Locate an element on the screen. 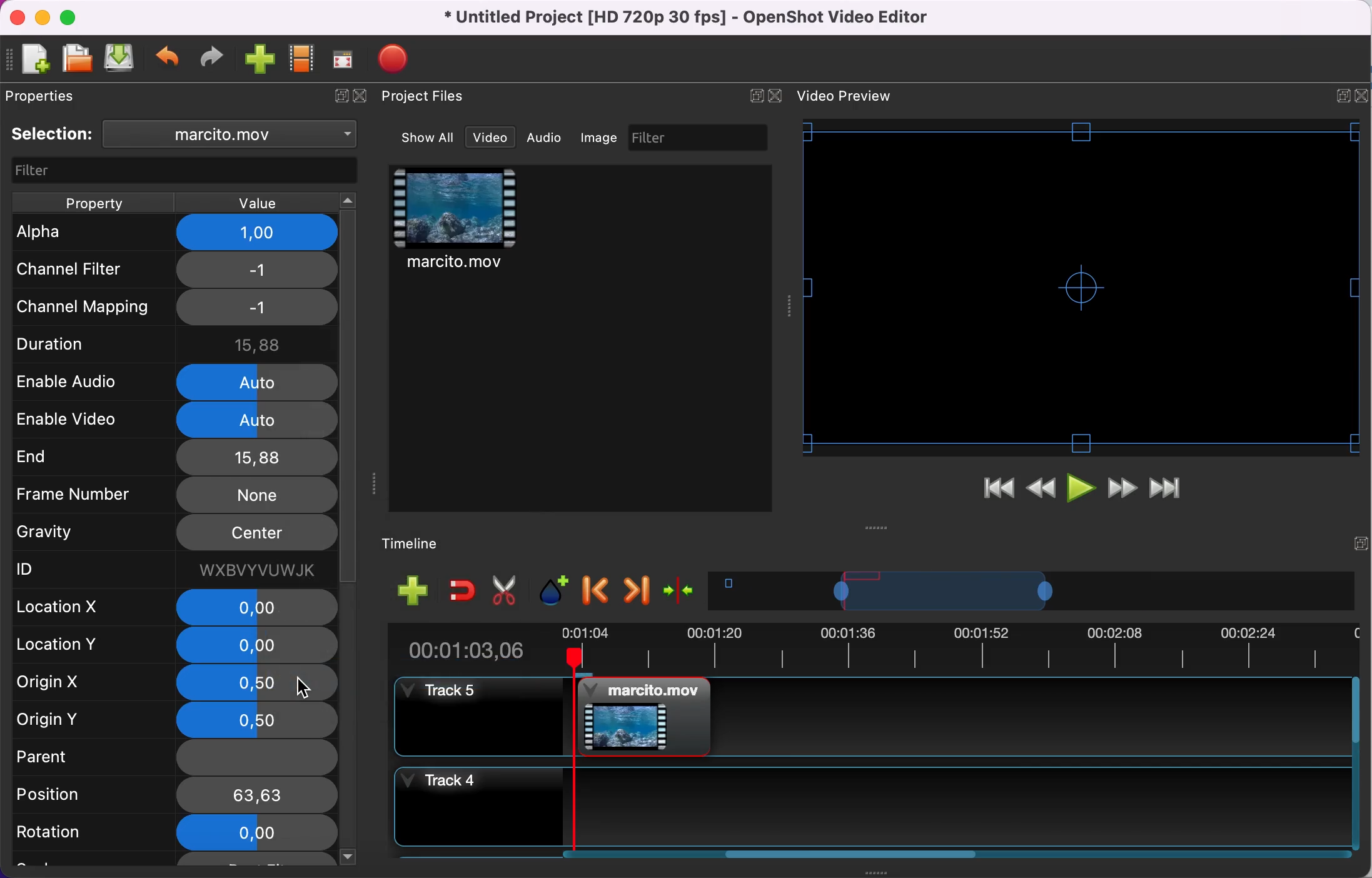  next marker is located at coordinates (638, 590).